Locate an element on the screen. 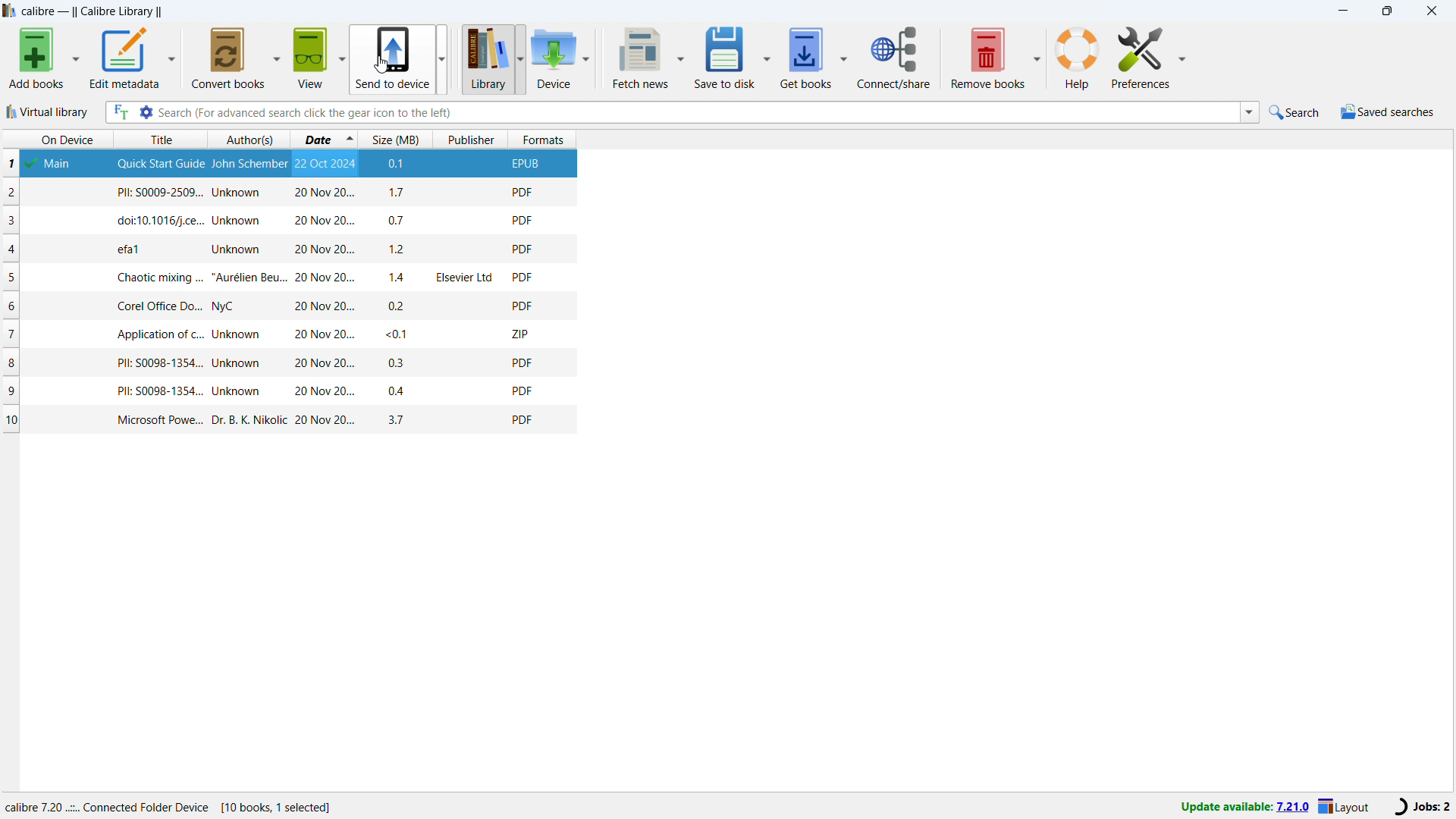  sort by size is located at coordinates (395, 139).